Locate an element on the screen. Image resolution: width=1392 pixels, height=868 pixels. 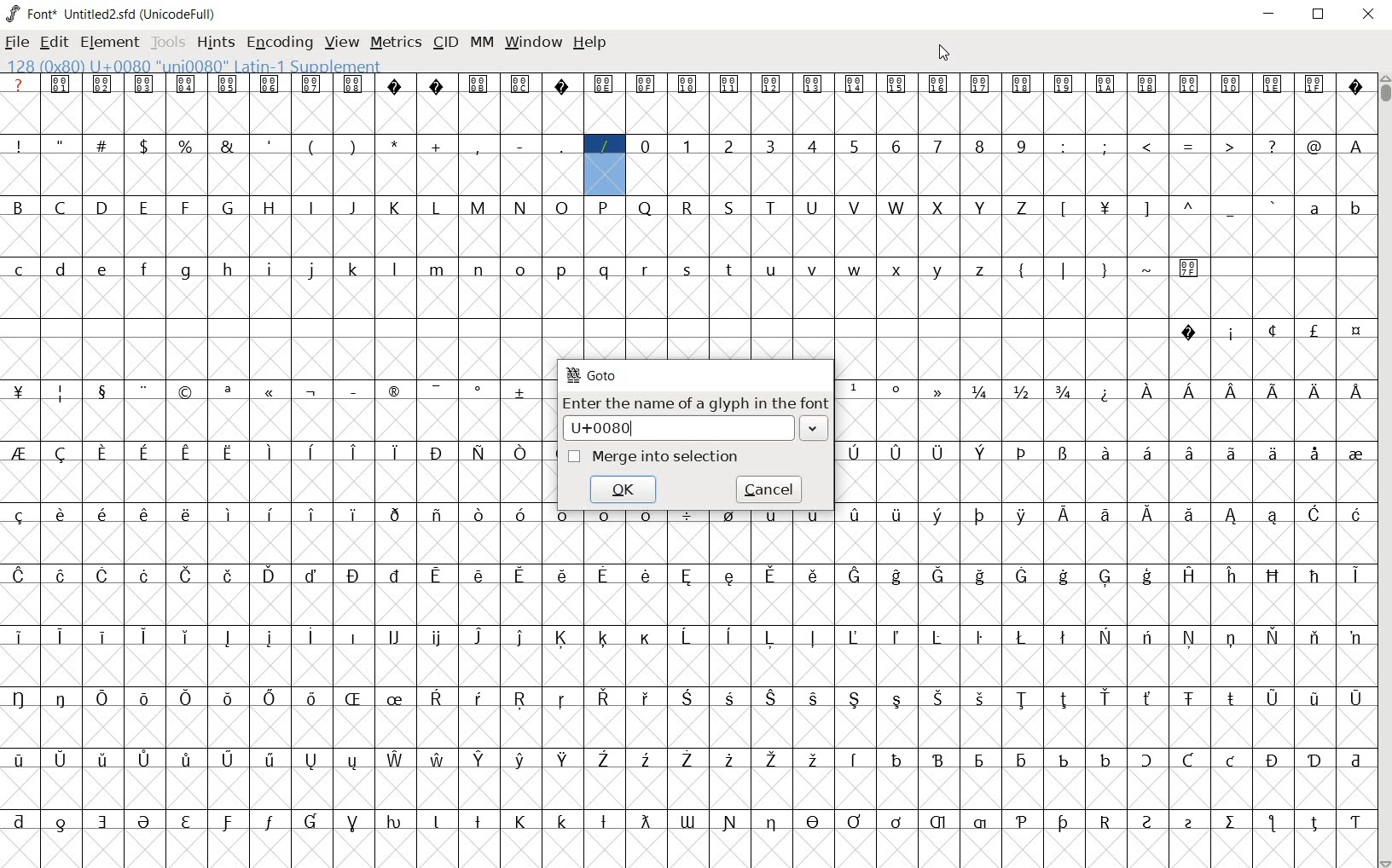
glyph is located at coordinates (1189, 84).